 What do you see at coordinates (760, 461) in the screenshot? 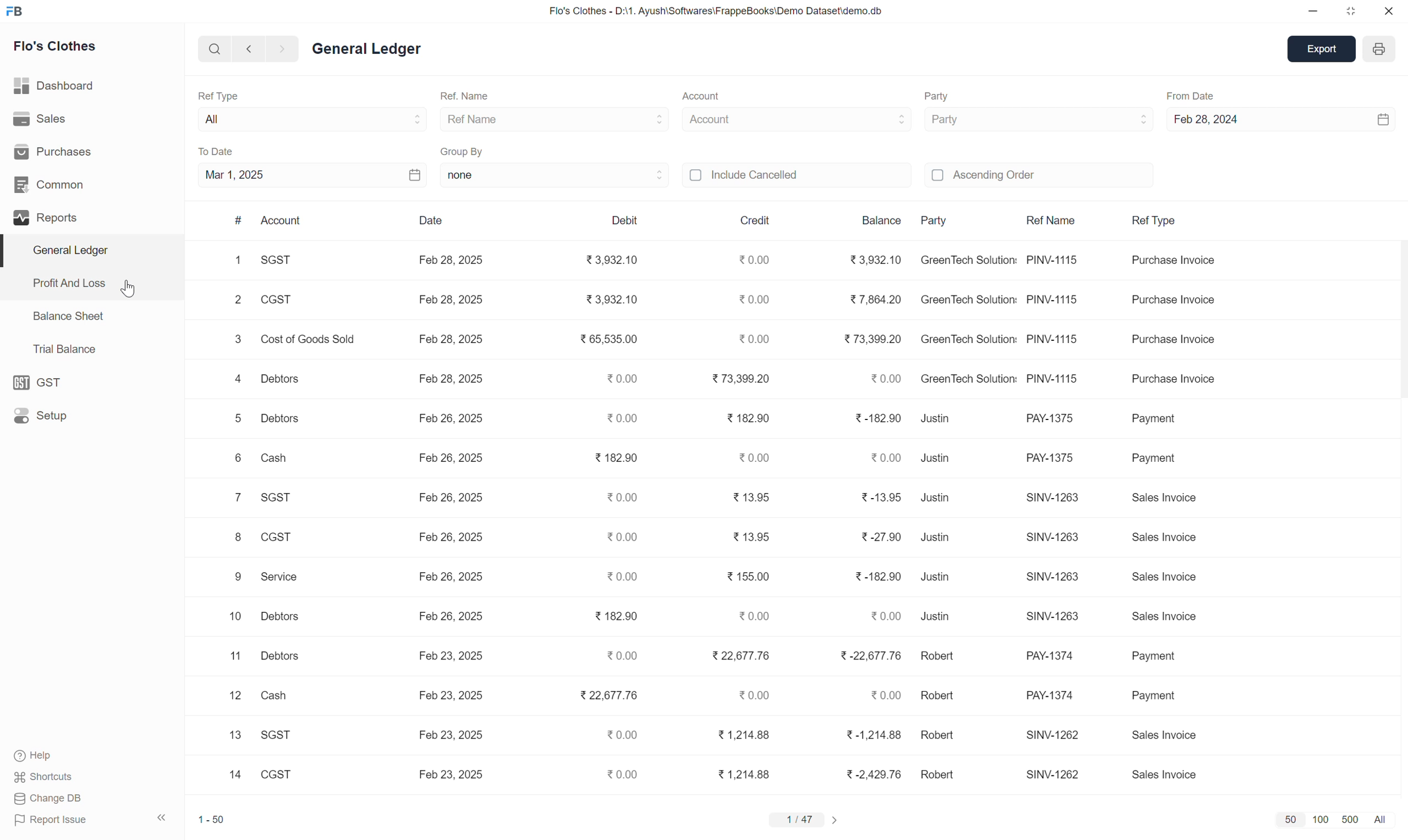
I see `₹0.00` at bounding box center [760, 461].